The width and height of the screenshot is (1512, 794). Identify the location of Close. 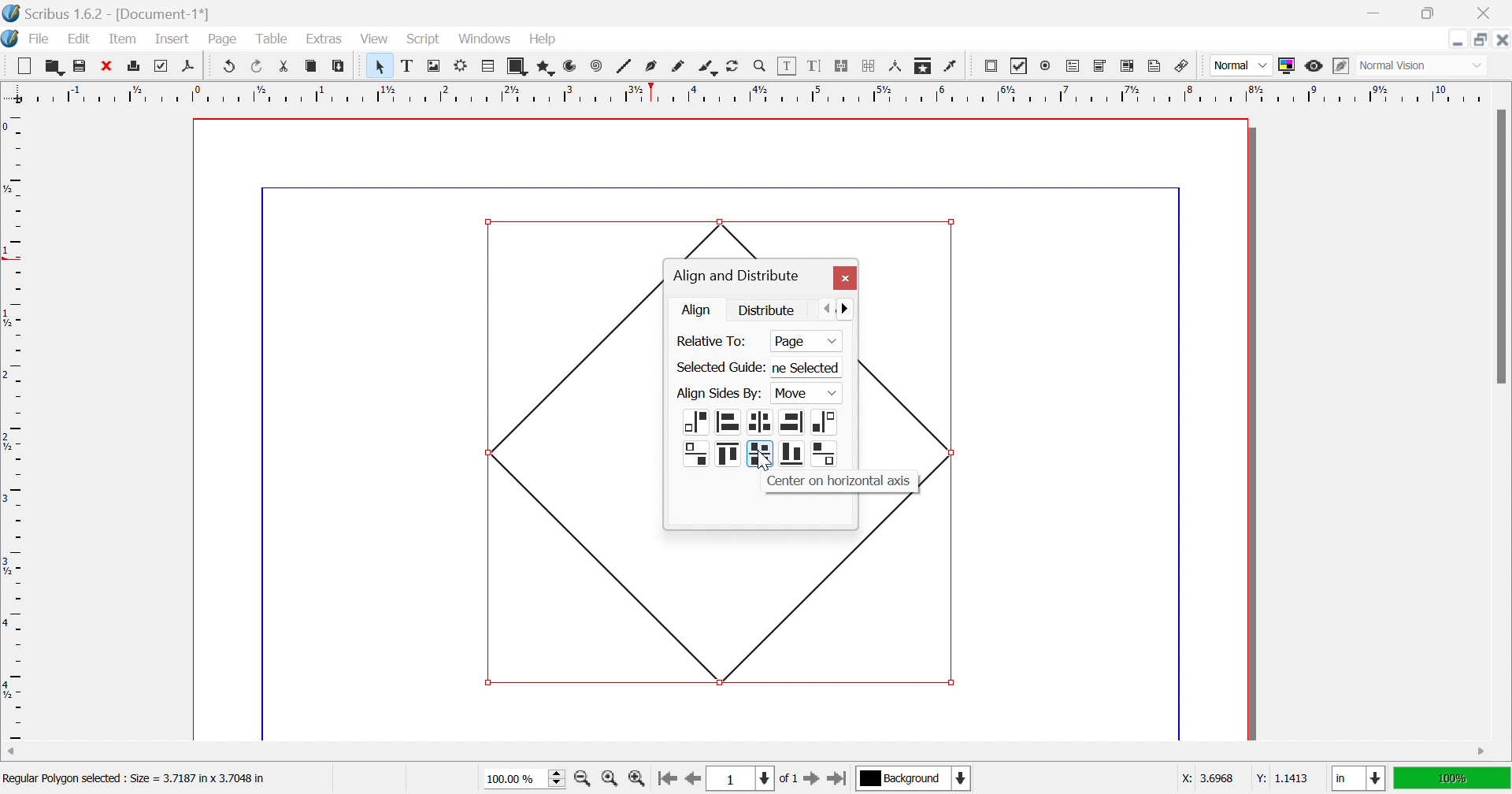
(1502, 39).